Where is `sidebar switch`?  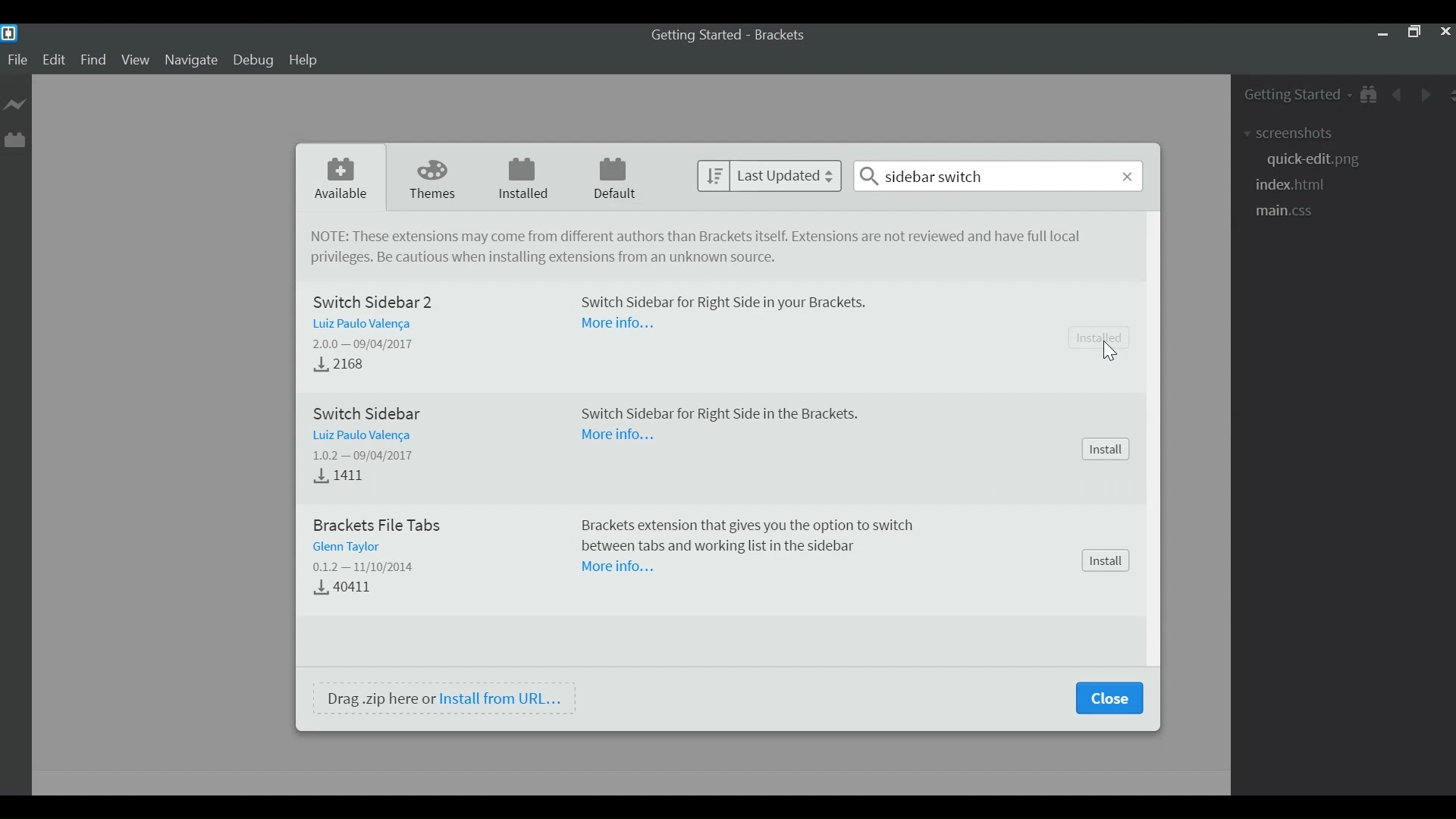
sidebar switch is located at coordinates (999, 176).